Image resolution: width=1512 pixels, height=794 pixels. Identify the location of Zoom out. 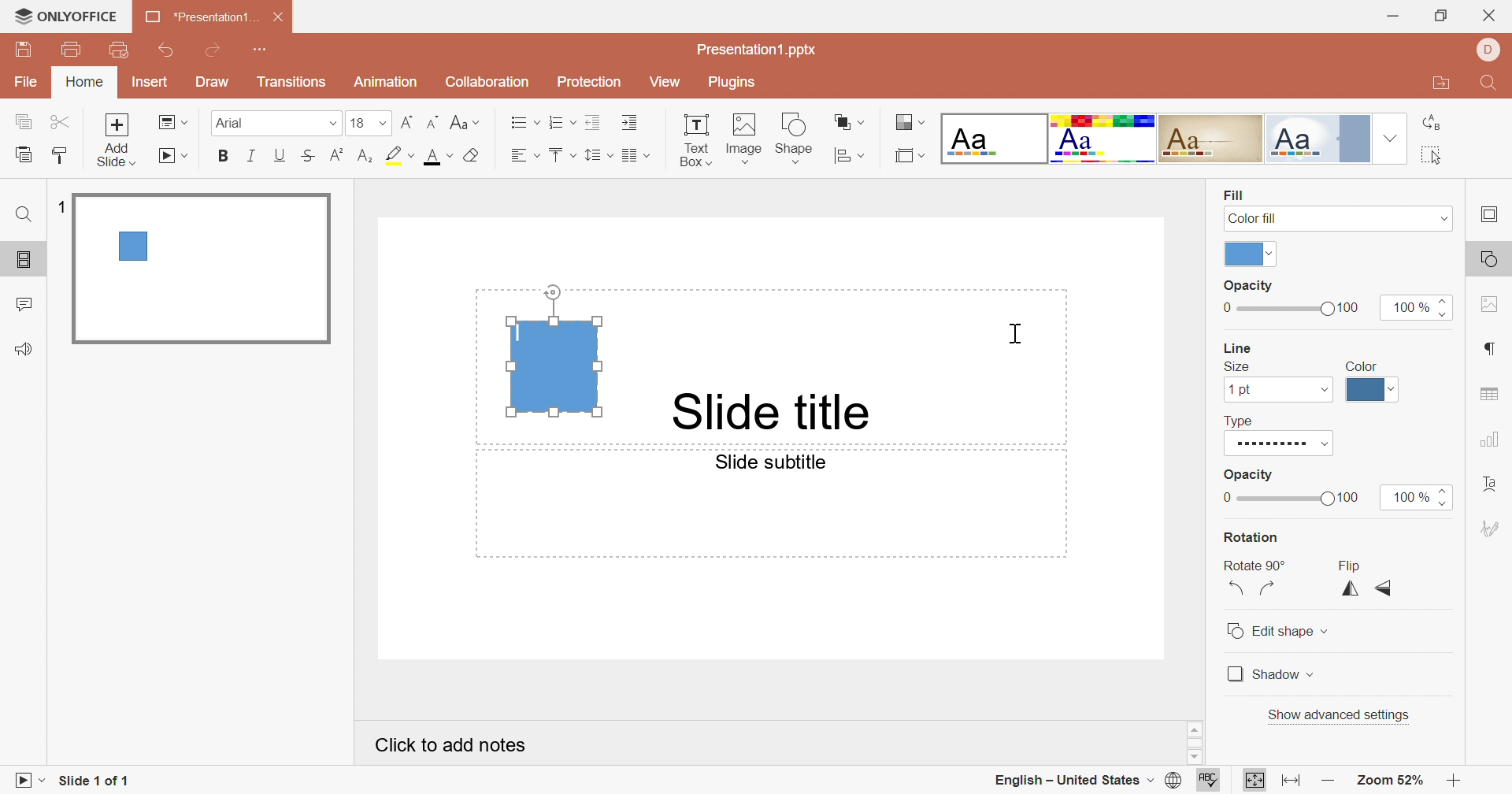
(1324, 779).